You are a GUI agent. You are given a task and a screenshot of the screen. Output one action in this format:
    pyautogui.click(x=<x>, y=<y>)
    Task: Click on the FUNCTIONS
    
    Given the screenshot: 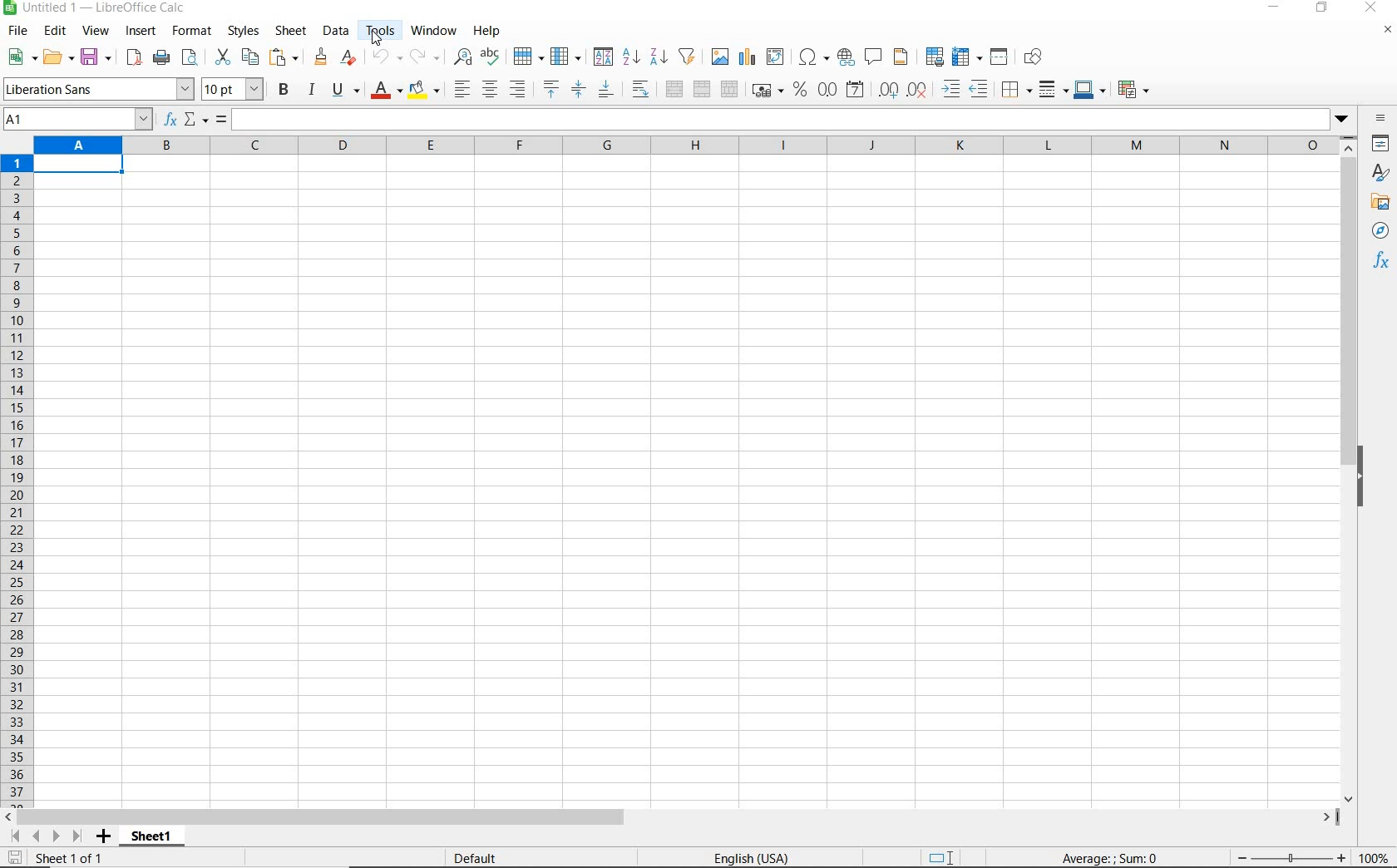 What is the action you would take?
    pyautogui.click(x=1381, y=261)
    